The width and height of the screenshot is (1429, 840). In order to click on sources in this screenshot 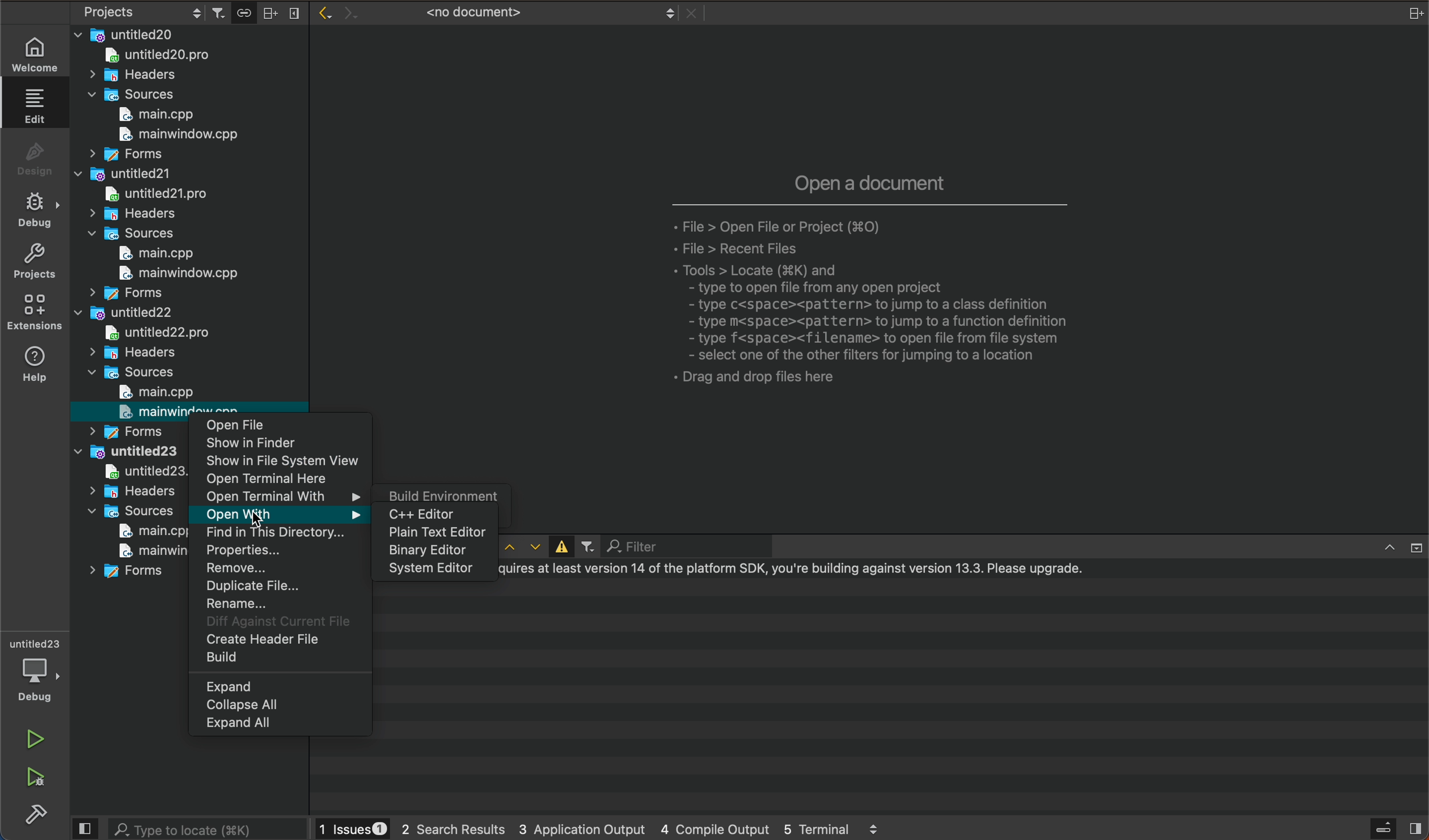, I will do `click(128, 234)`.